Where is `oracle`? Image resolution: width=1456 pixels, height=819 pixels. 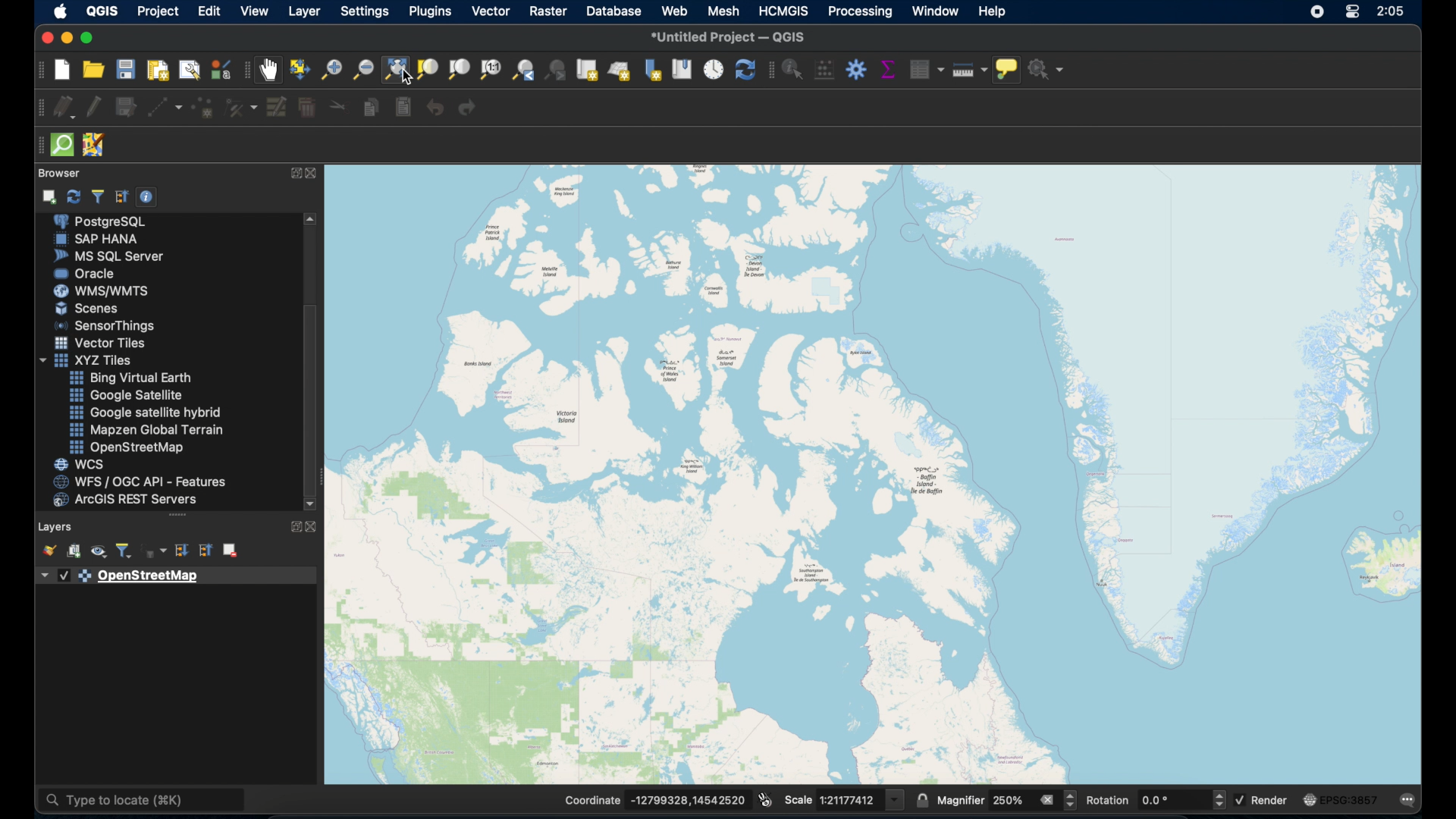 oracle is located at coordinates (89, 272).